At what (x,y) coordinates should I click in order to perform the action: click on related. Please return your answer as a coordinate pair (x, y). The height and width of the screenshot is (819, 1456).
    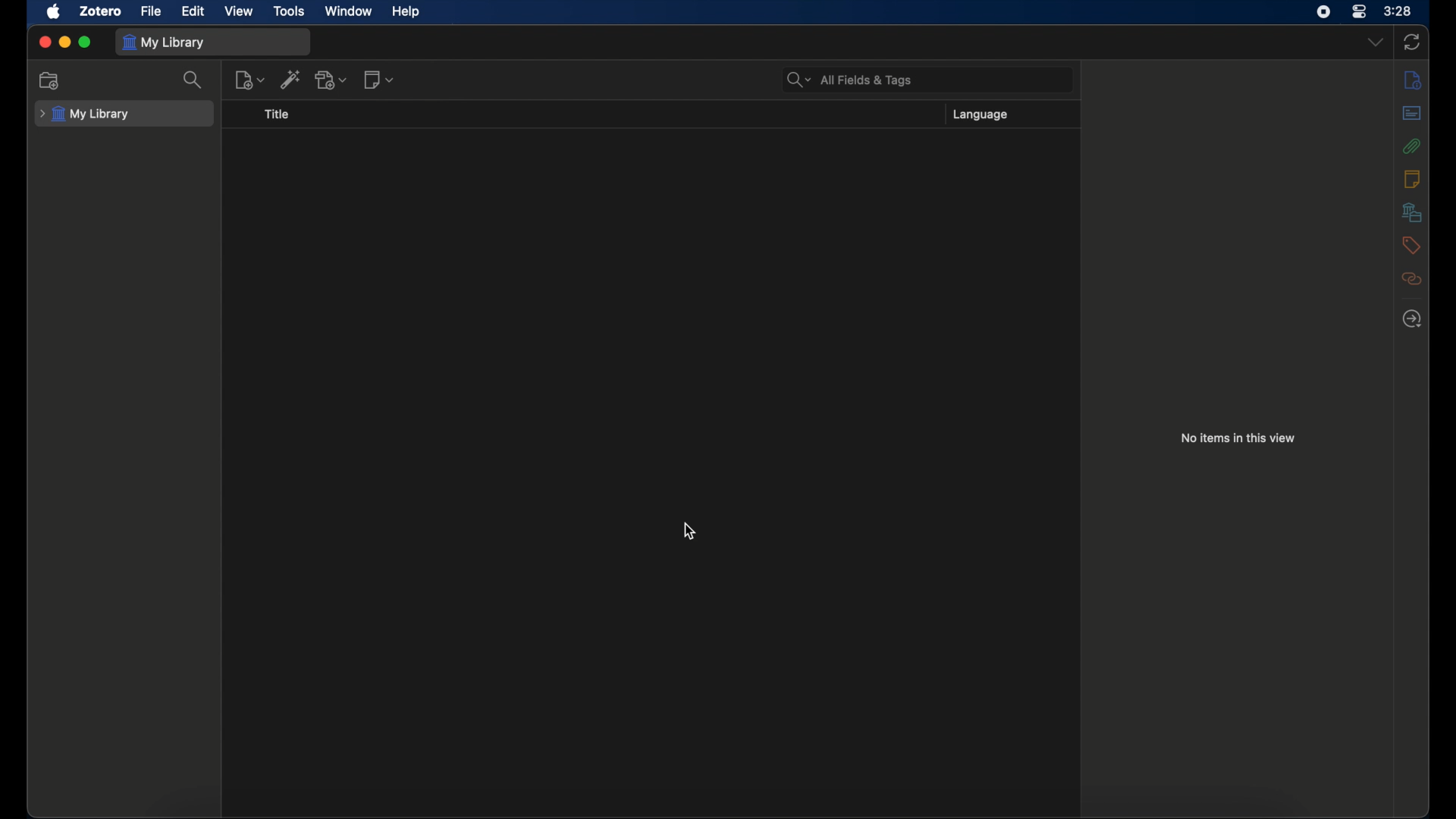
    Looking at the image, I should click on (1412, 278).